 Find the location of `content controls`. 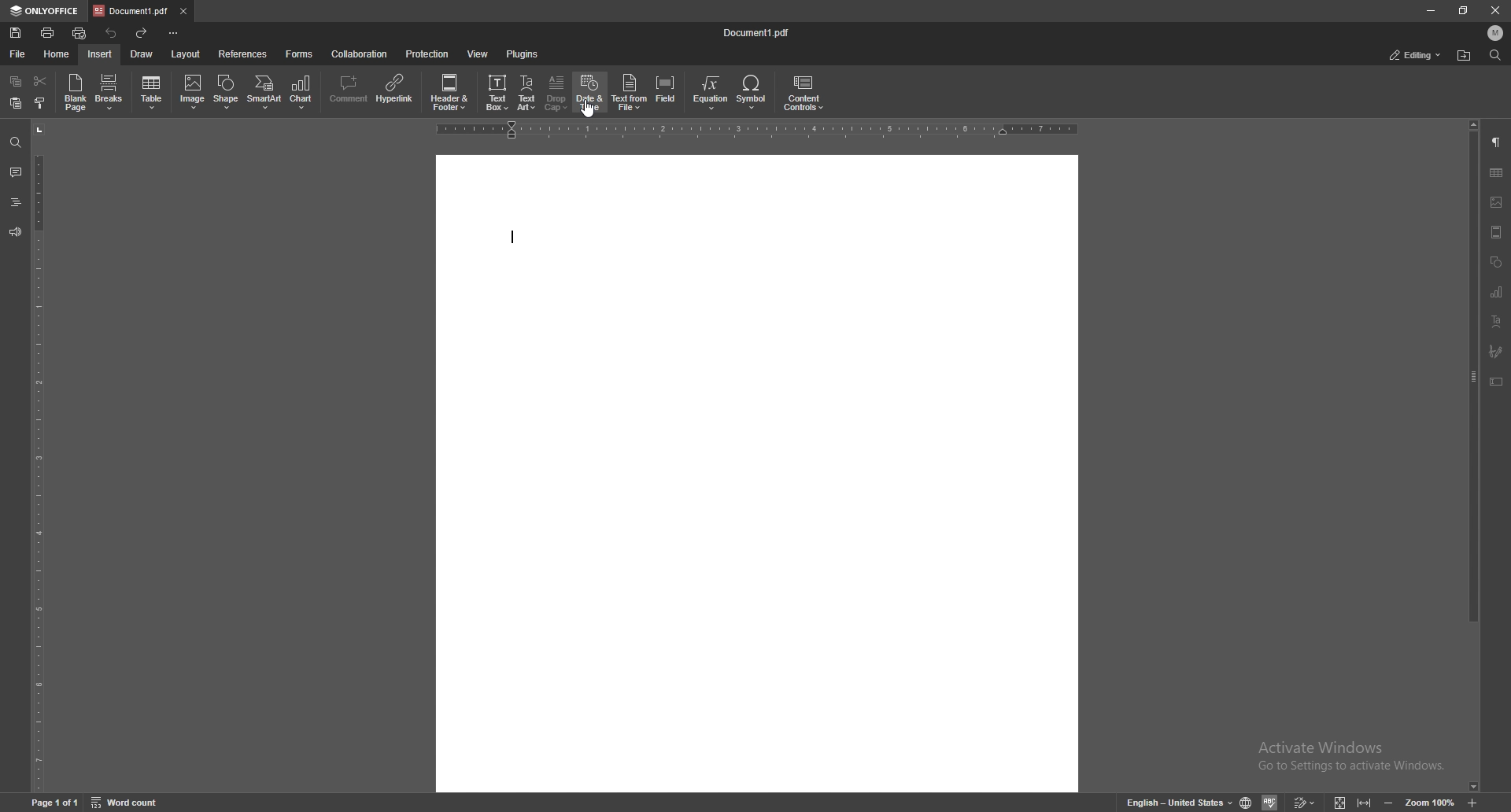

content controls is located at coordinates (804, 93).